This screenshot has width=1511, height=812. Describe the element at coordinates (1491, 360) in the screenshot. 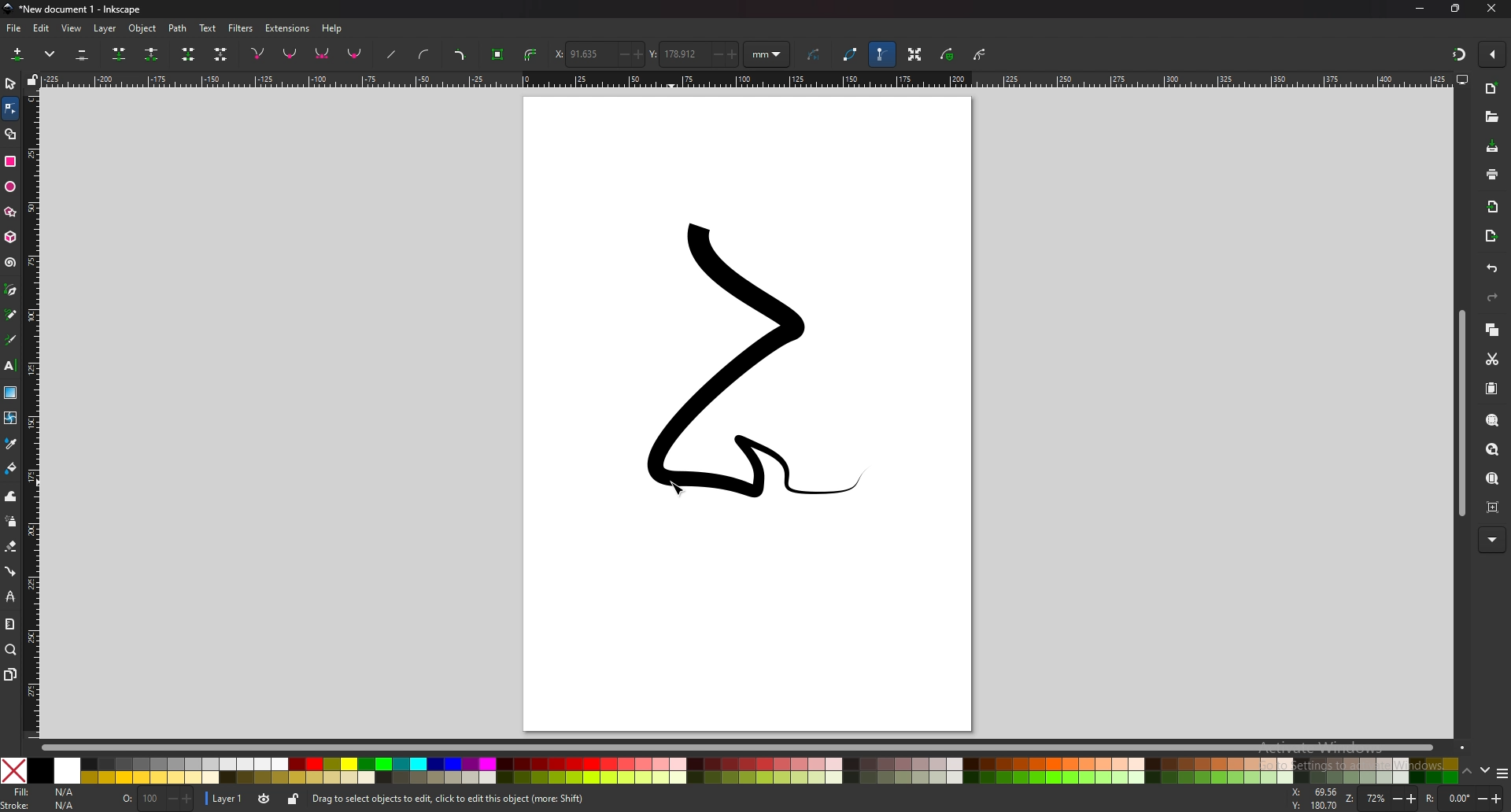

I see `cut` at that location.